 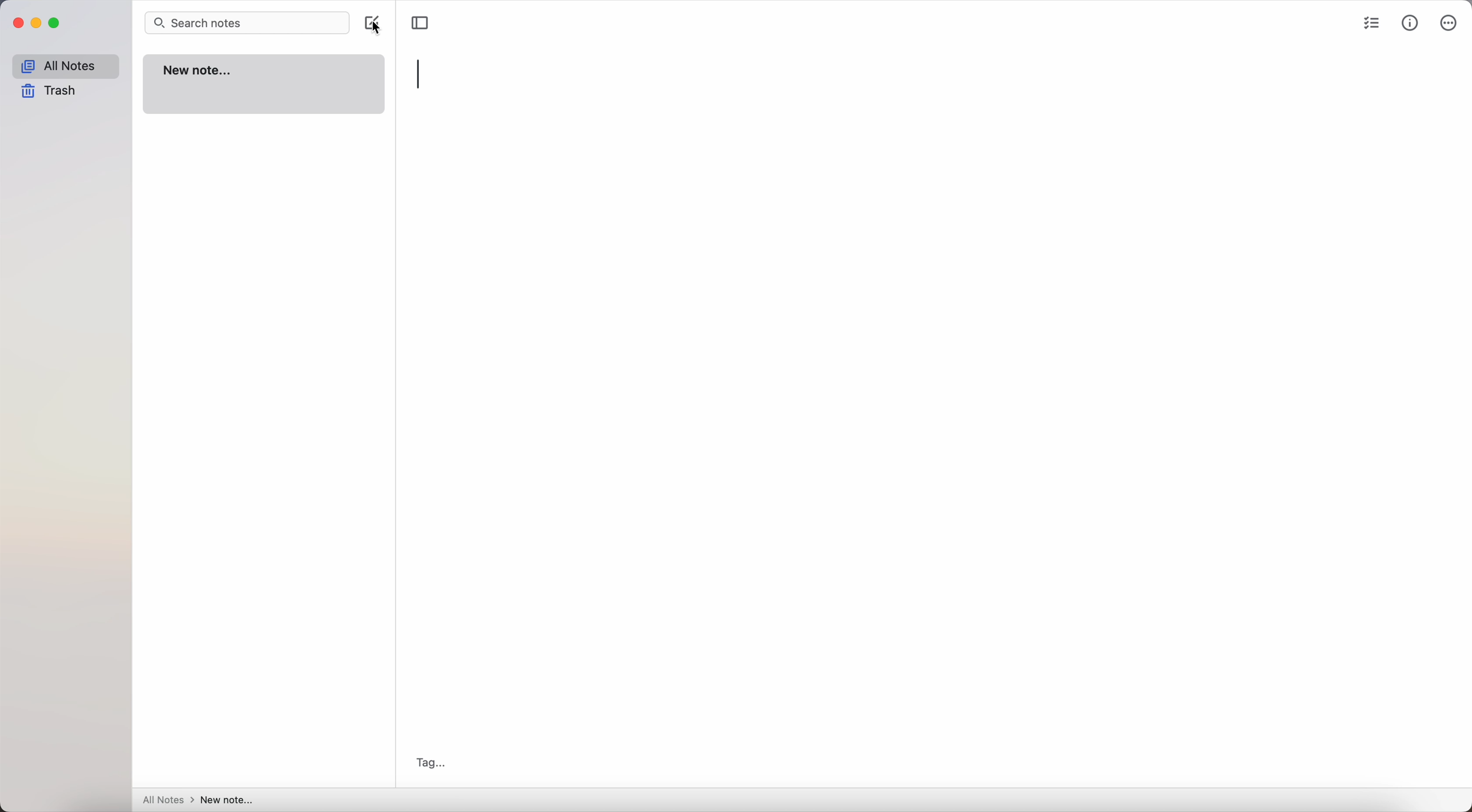 What do you see at coordinates (378, 35) in the screenshot?
I see `cursor` at bounding box center [378, 35].